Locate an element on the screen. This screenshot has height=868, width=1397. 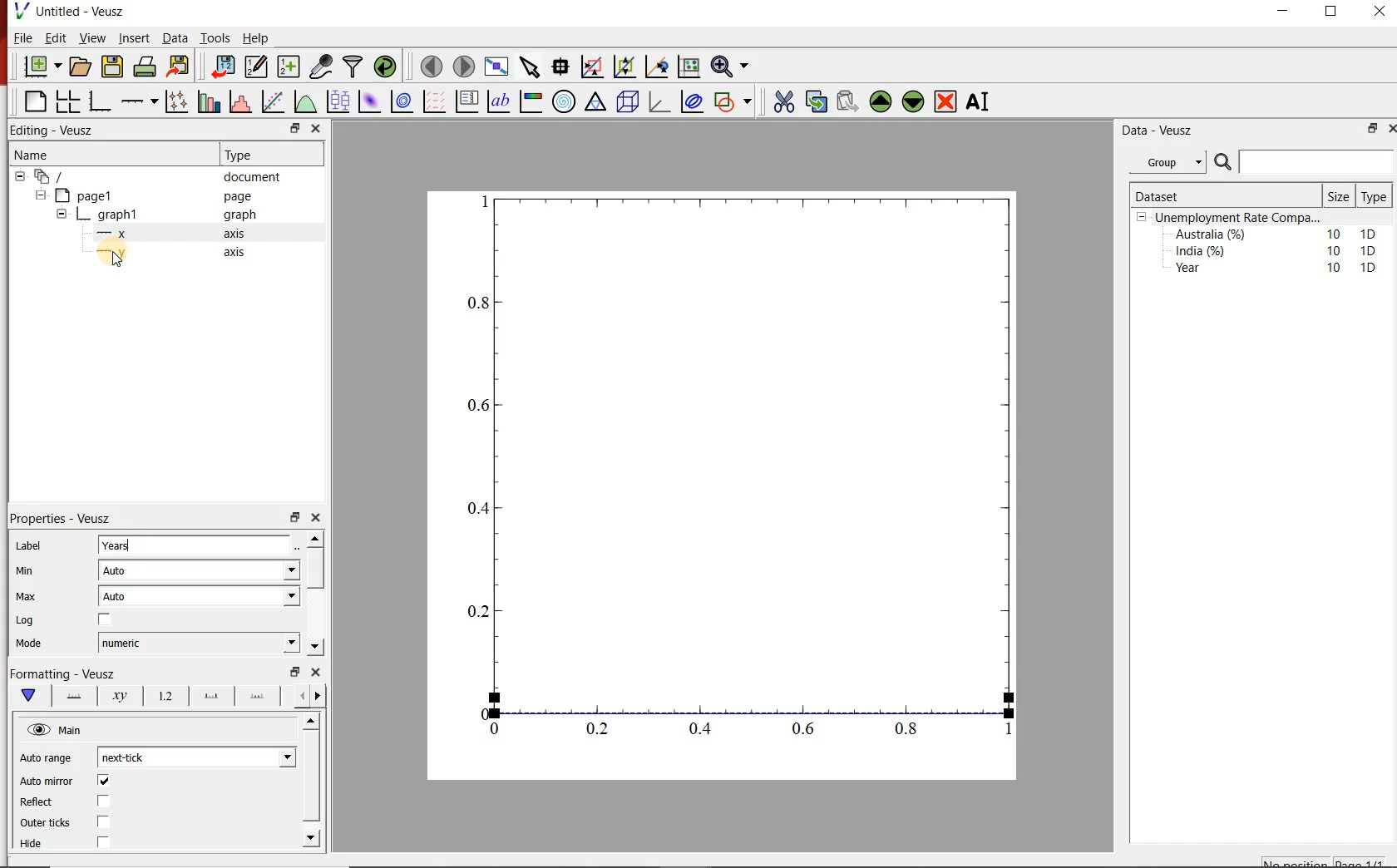
3d scenes is located at coordinates (625, 101).